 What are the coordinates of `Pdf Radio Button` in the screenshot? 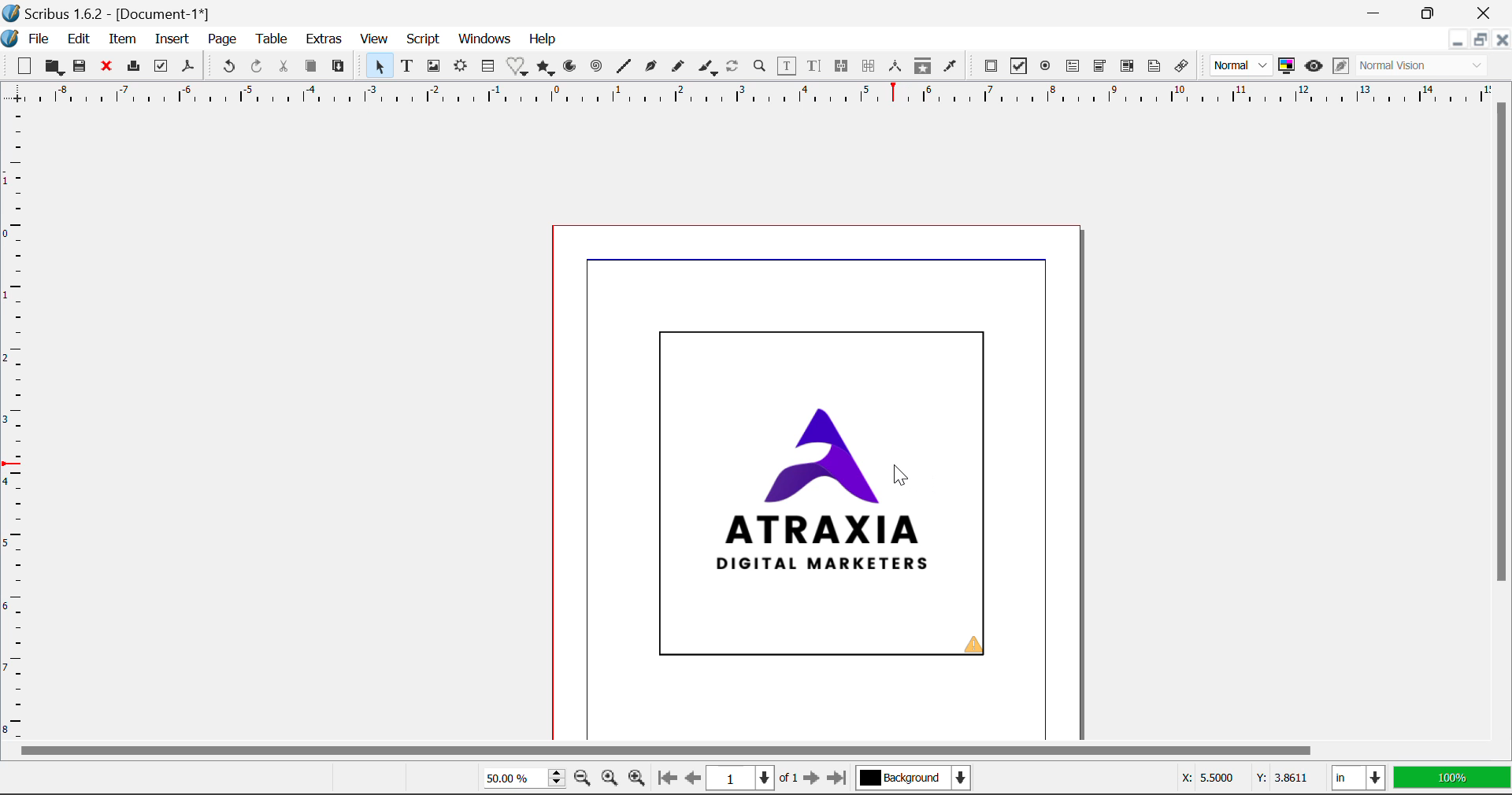 It's located at (1043, 68).